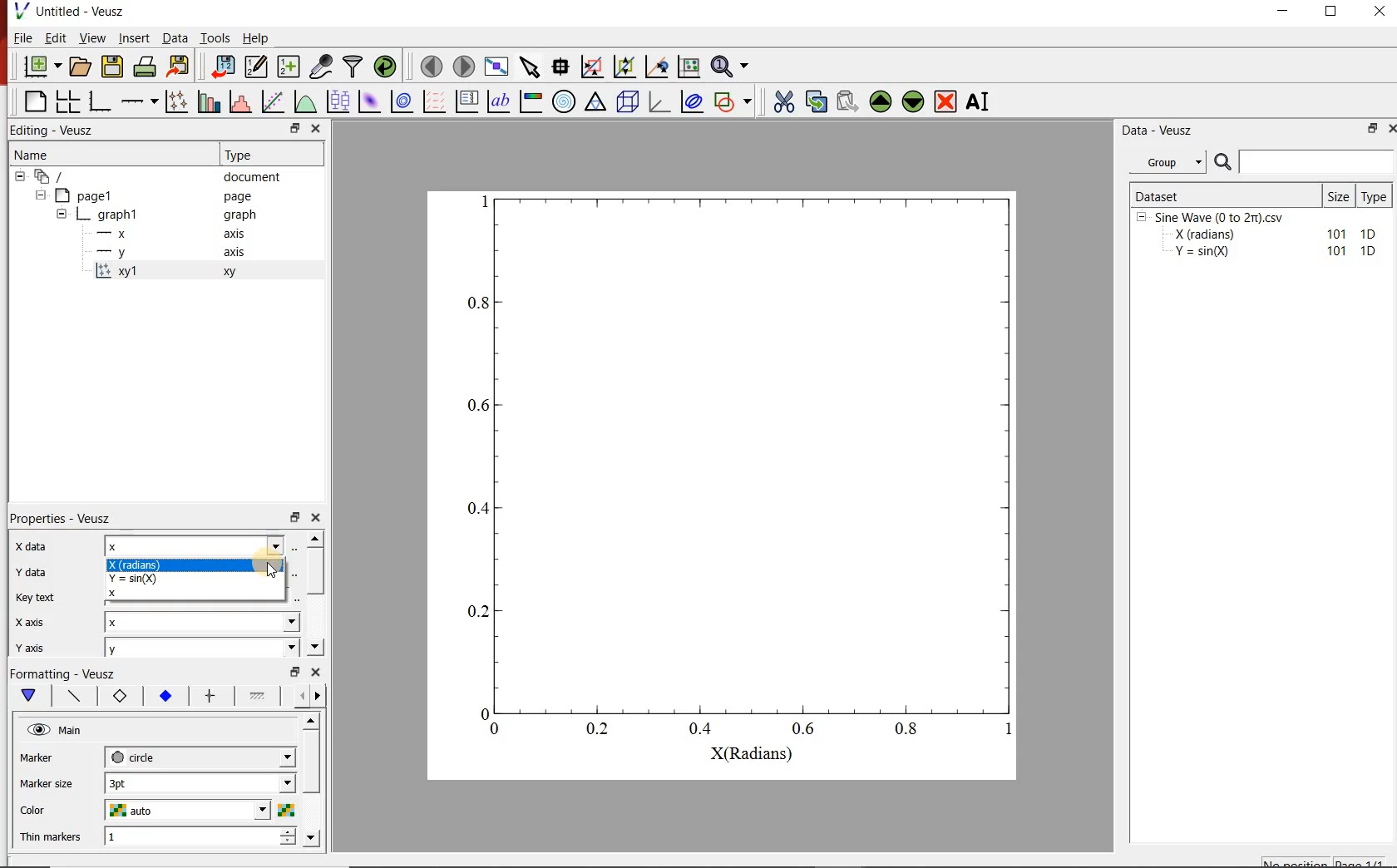  Describe the element at coordinates (238, 214) in the screenshot. I see `graph` at that location.